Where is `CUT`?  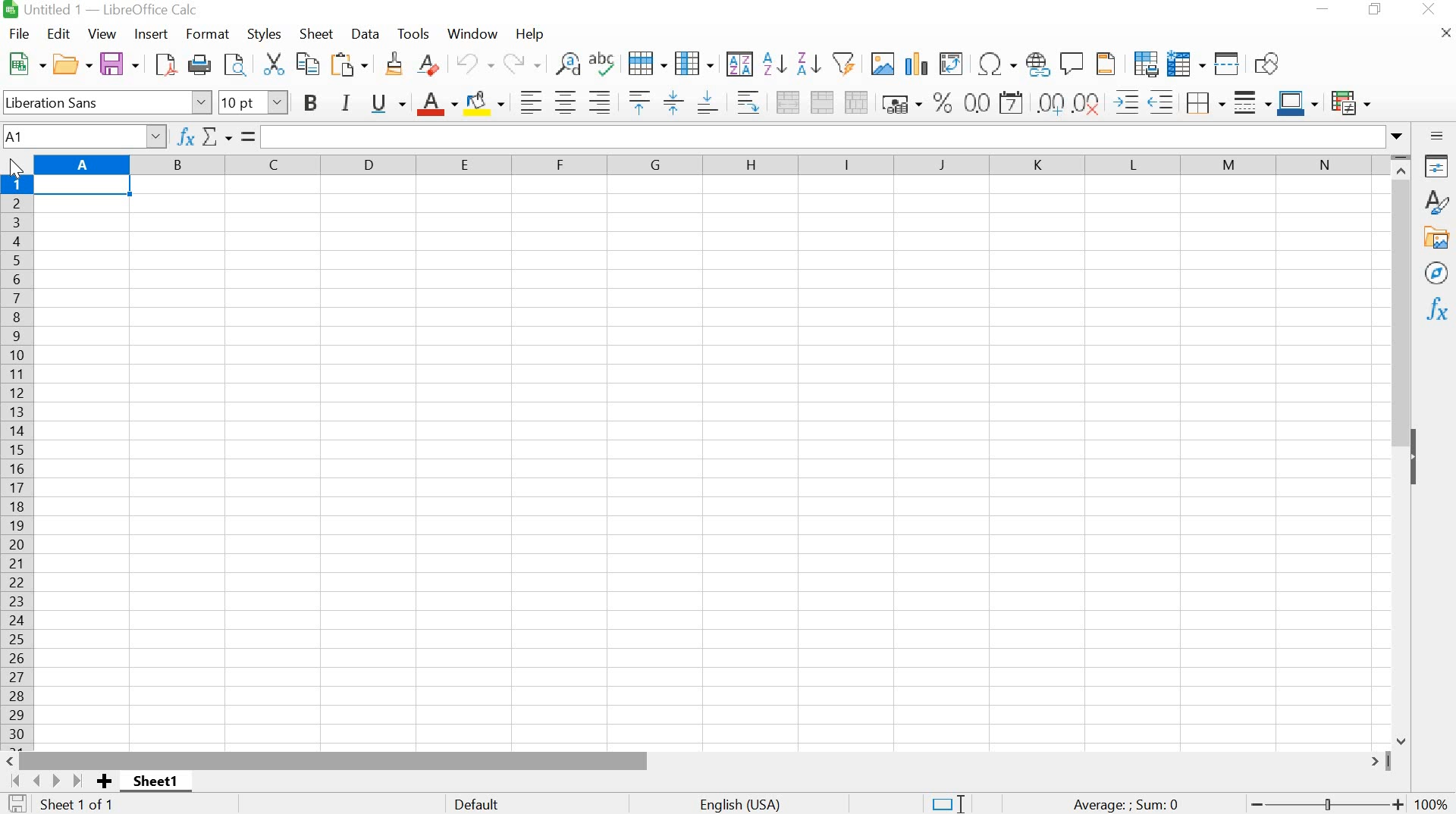
CUT is located at coordinates (276, 64).